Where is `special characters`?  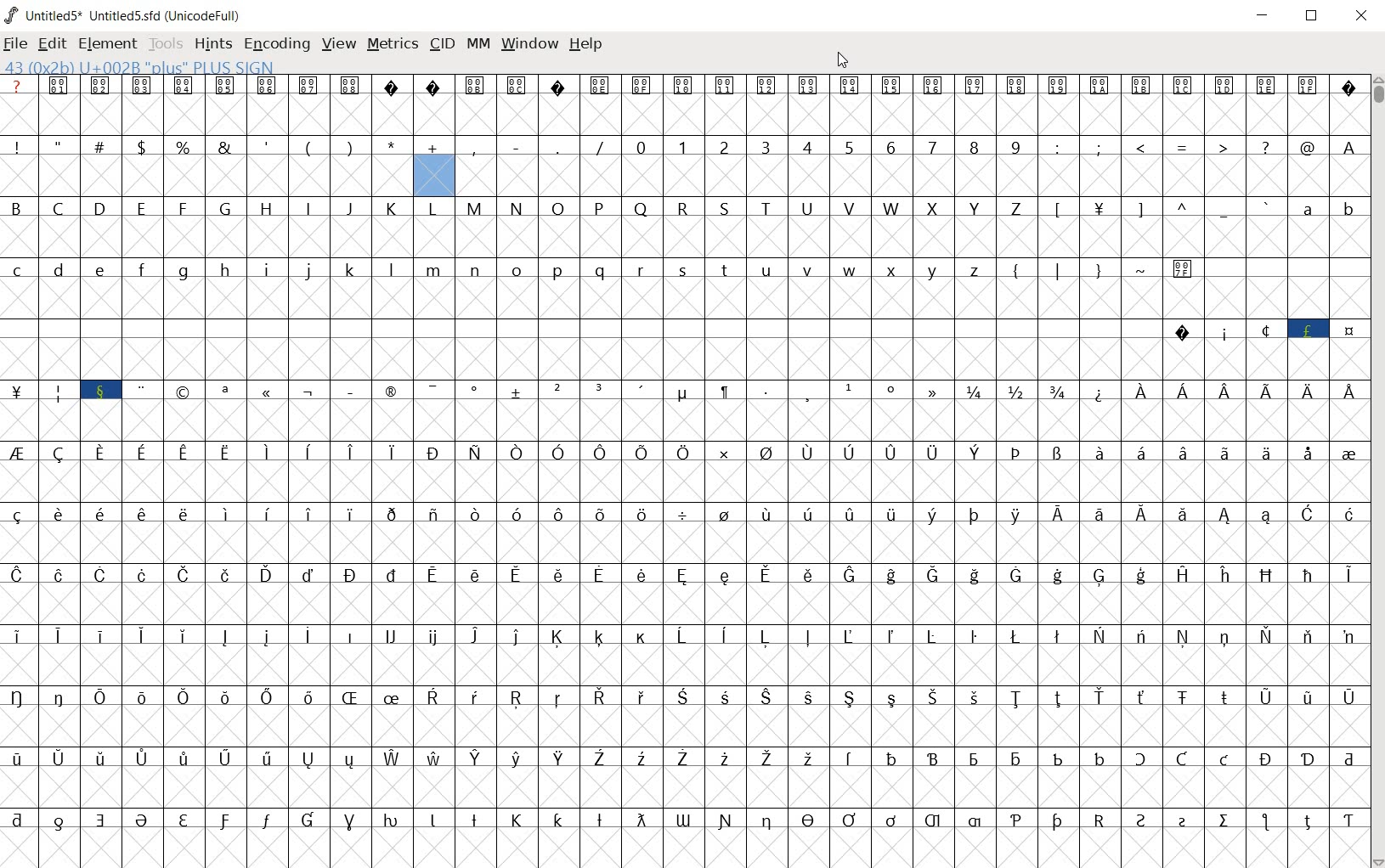
special characters is located at coordinates (1201, 166).